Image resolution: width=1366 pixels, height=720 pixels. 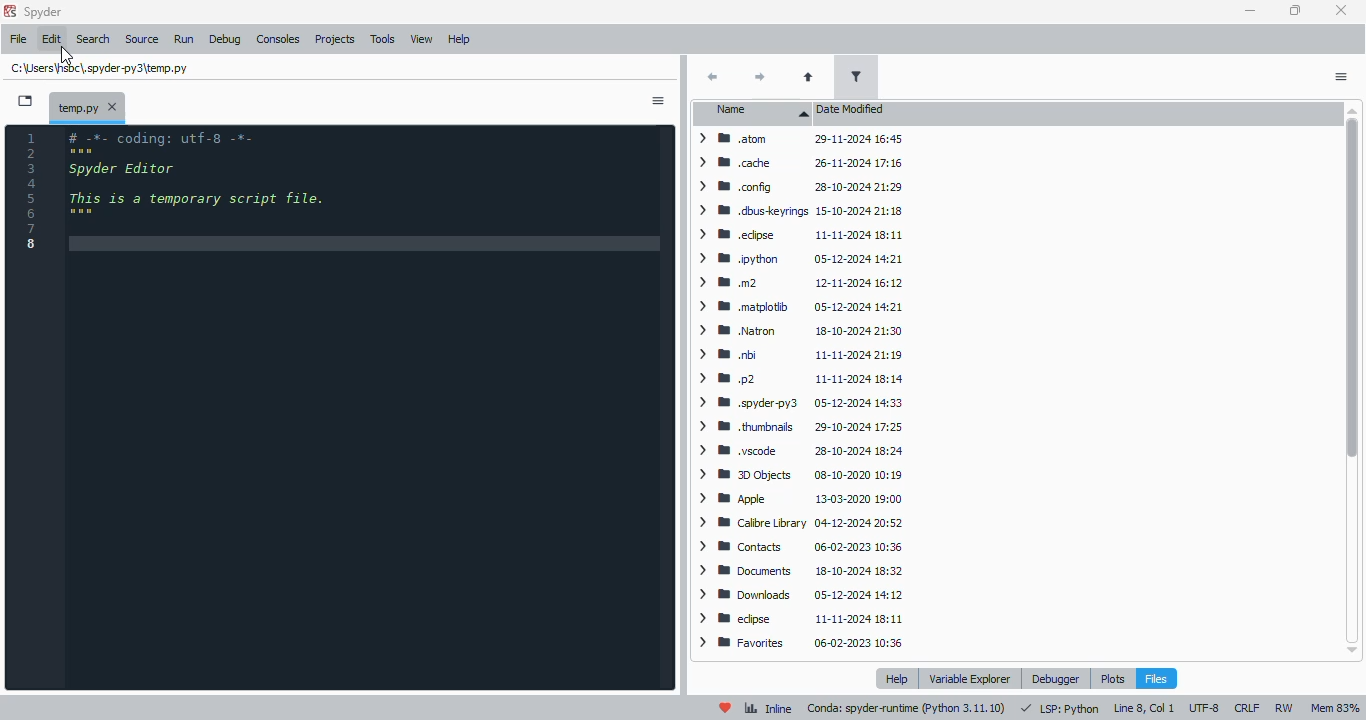 I want to click on filter, so click(x=855, y=76).